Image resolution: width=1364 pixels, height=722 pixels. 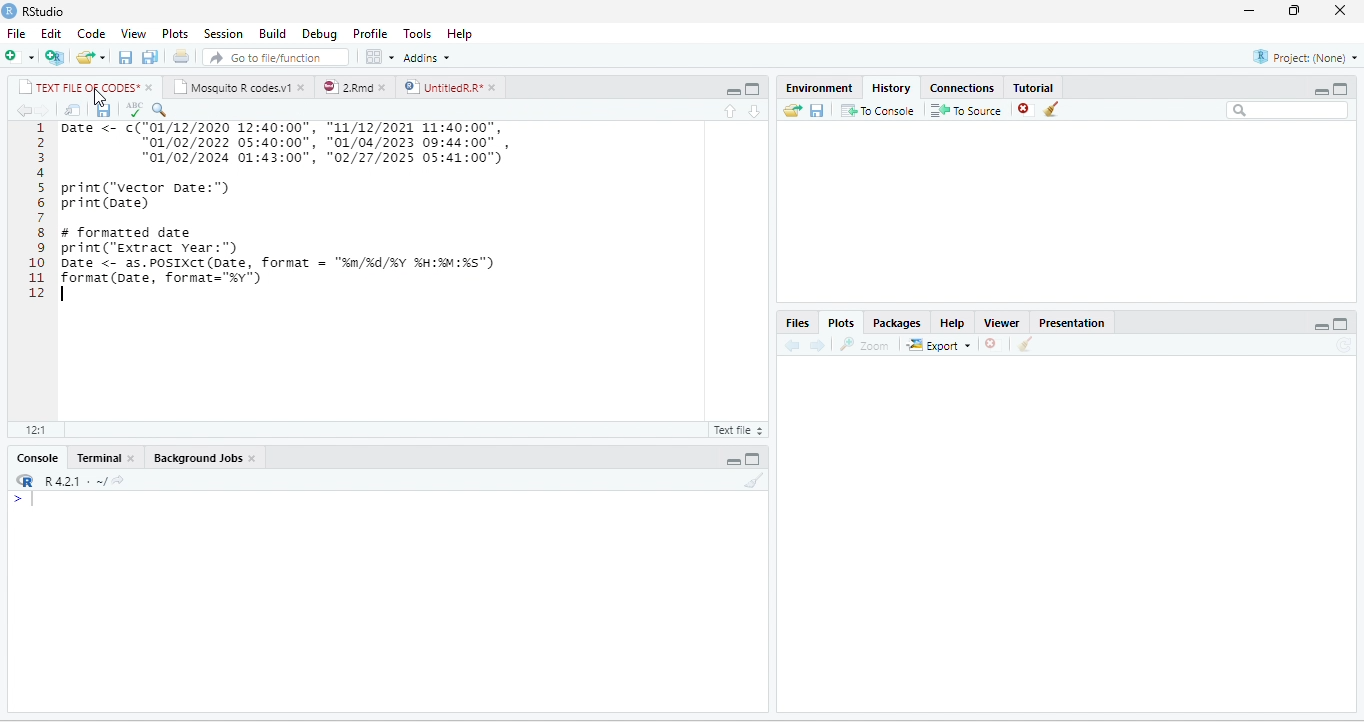 What do you see at coordinates (126, 57) in the screenshot?
I see `save` at bounding box center [126, 57].